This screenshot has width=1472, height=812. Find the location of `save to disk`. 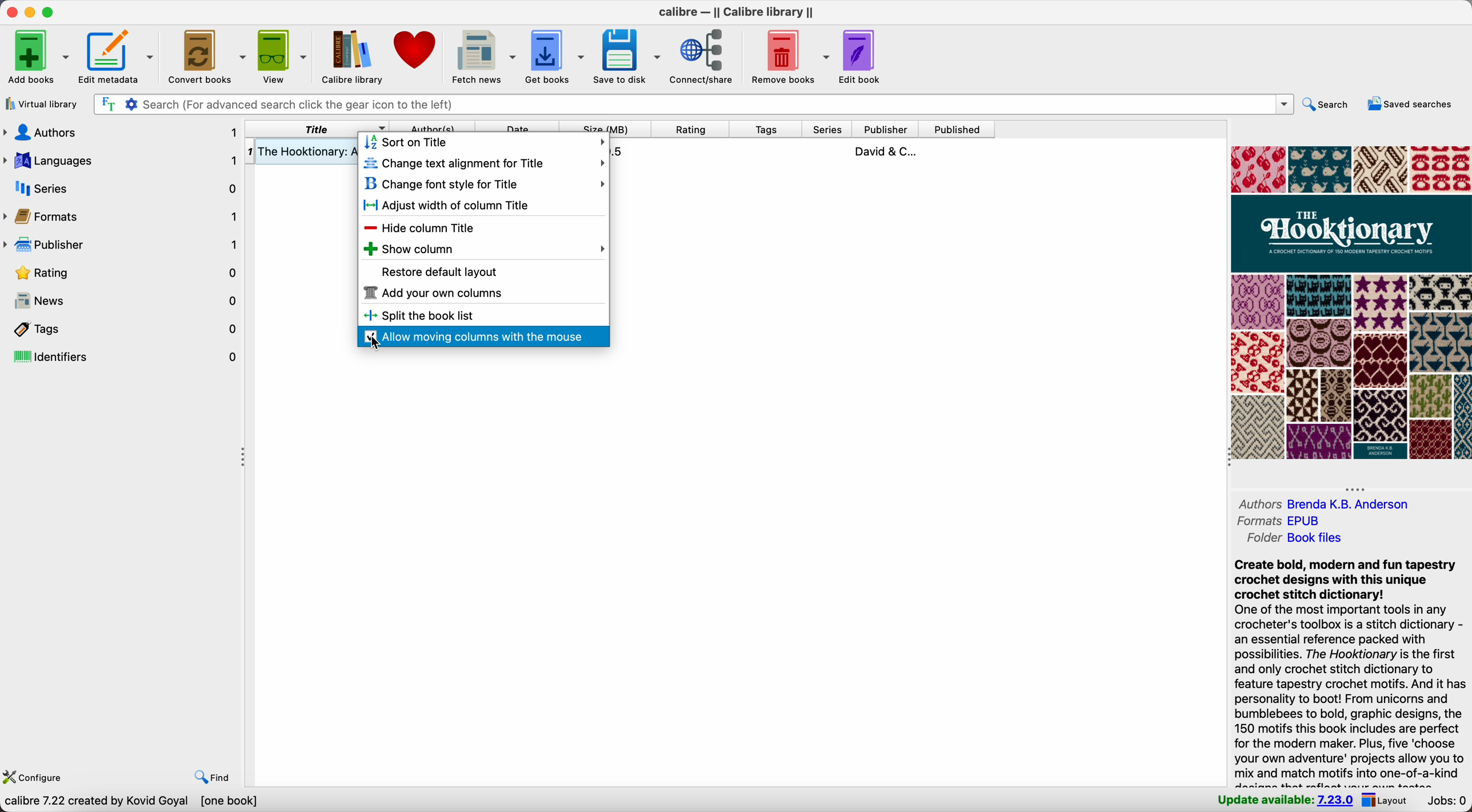

save to disk is located at coordinates (627, 54).